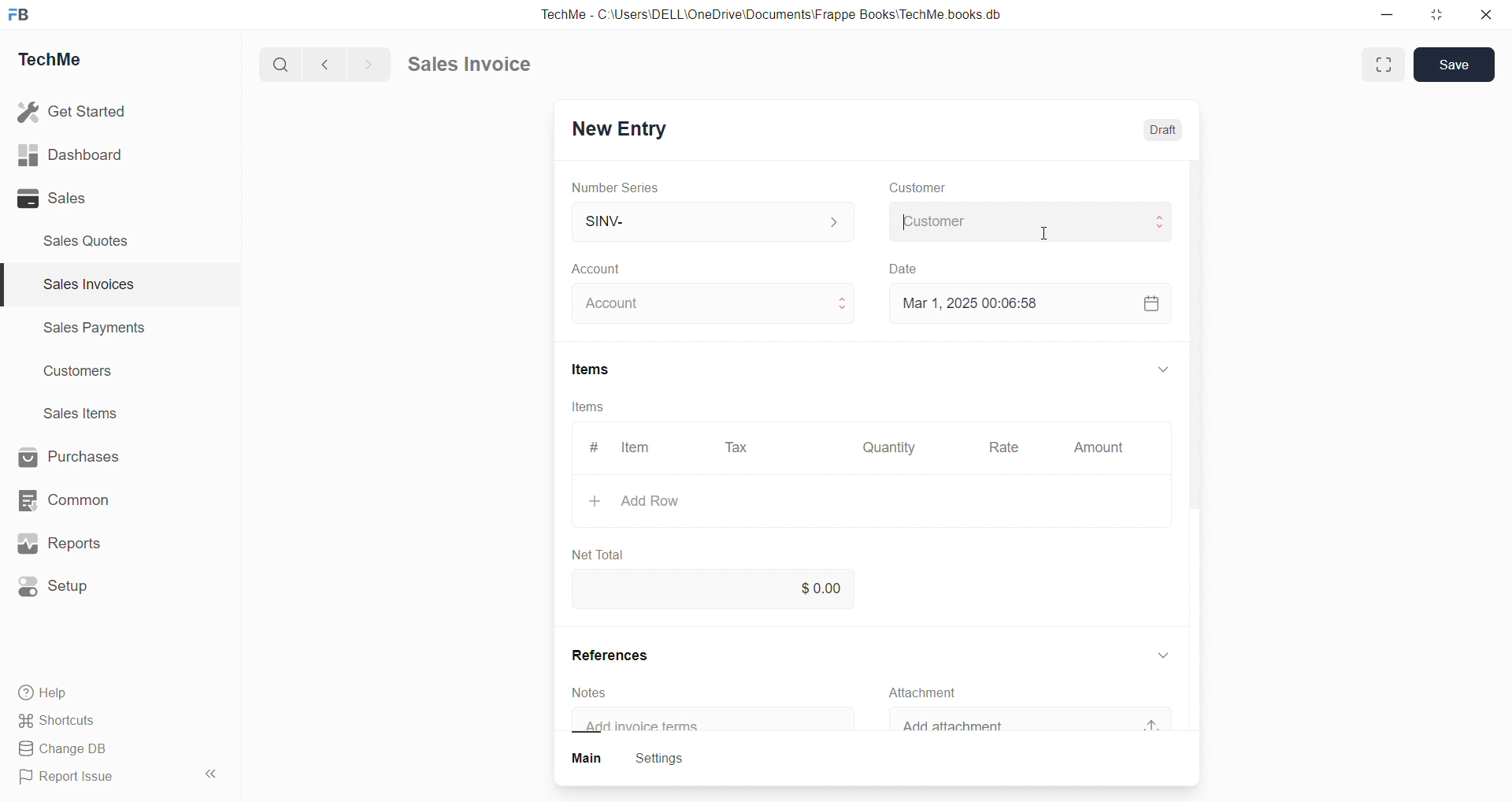 This screenshot has width=1512, height=802. Describe the element at coordinates (844, 304) in the screenshot. I see `Increase decrease button` at that location.